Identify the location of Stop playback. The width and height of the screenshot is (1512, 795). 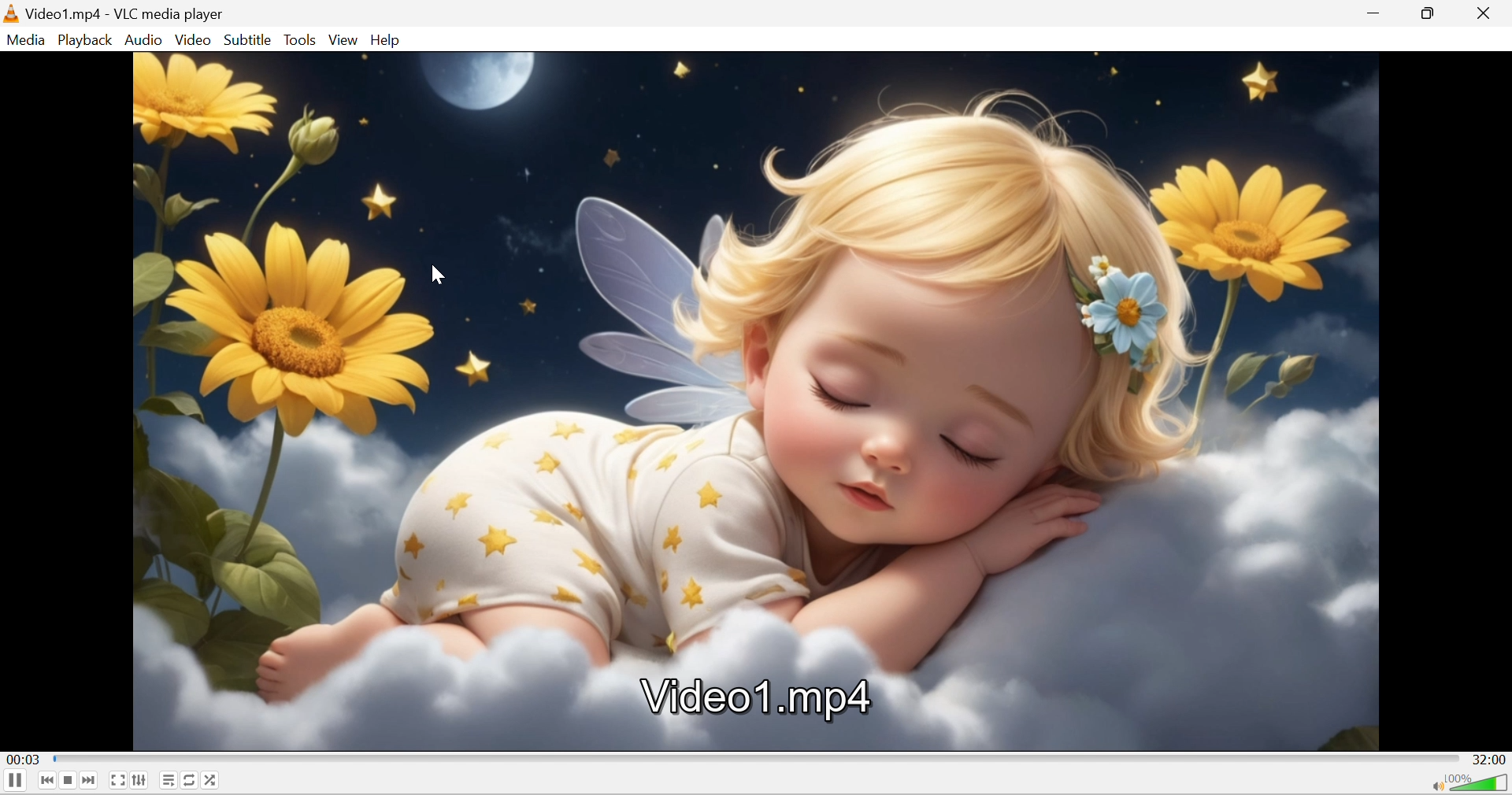
(71, 780).